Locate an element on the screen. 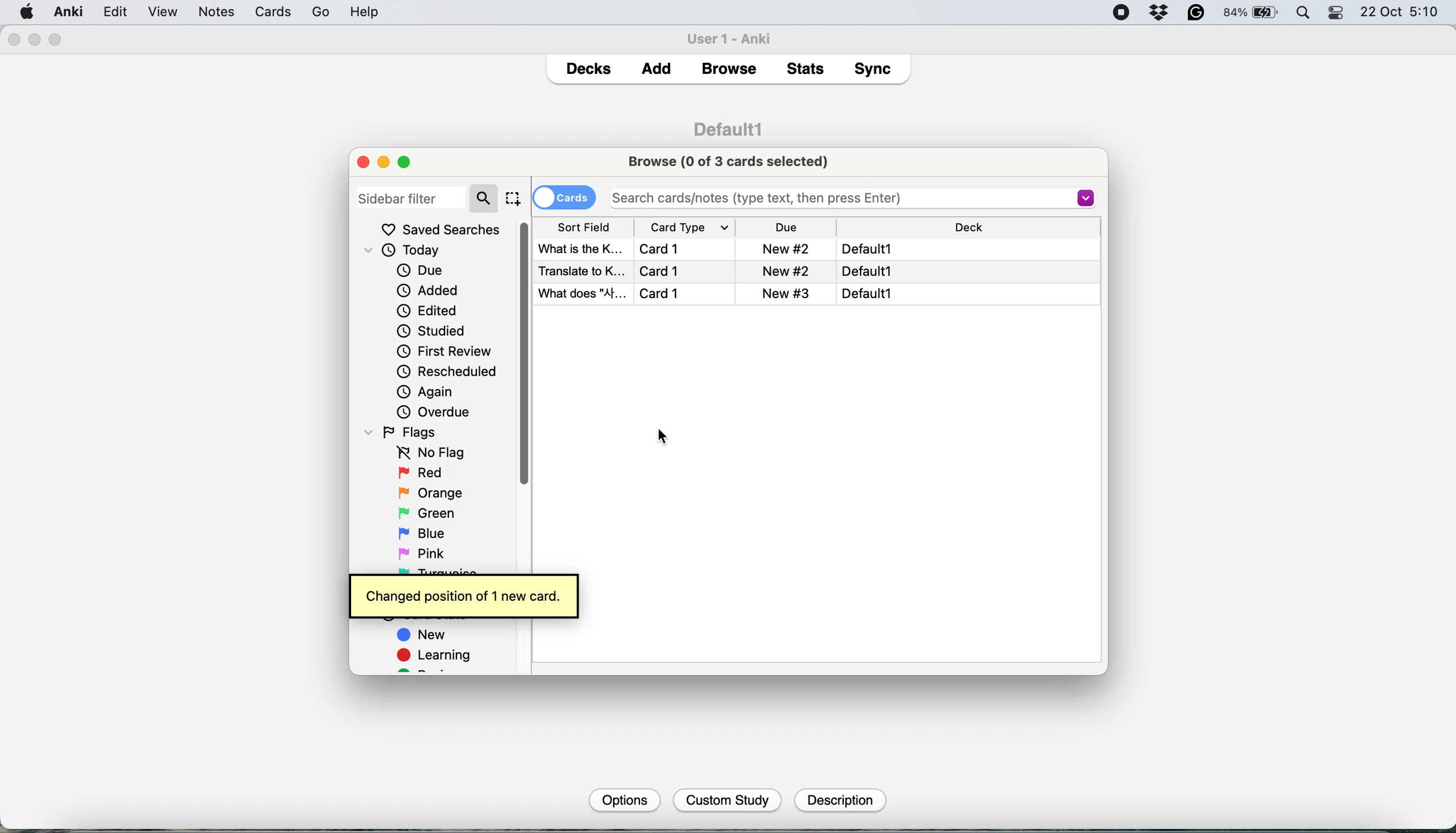 The image size is (1456, 833). system logo is located at coordinates (27, 11).